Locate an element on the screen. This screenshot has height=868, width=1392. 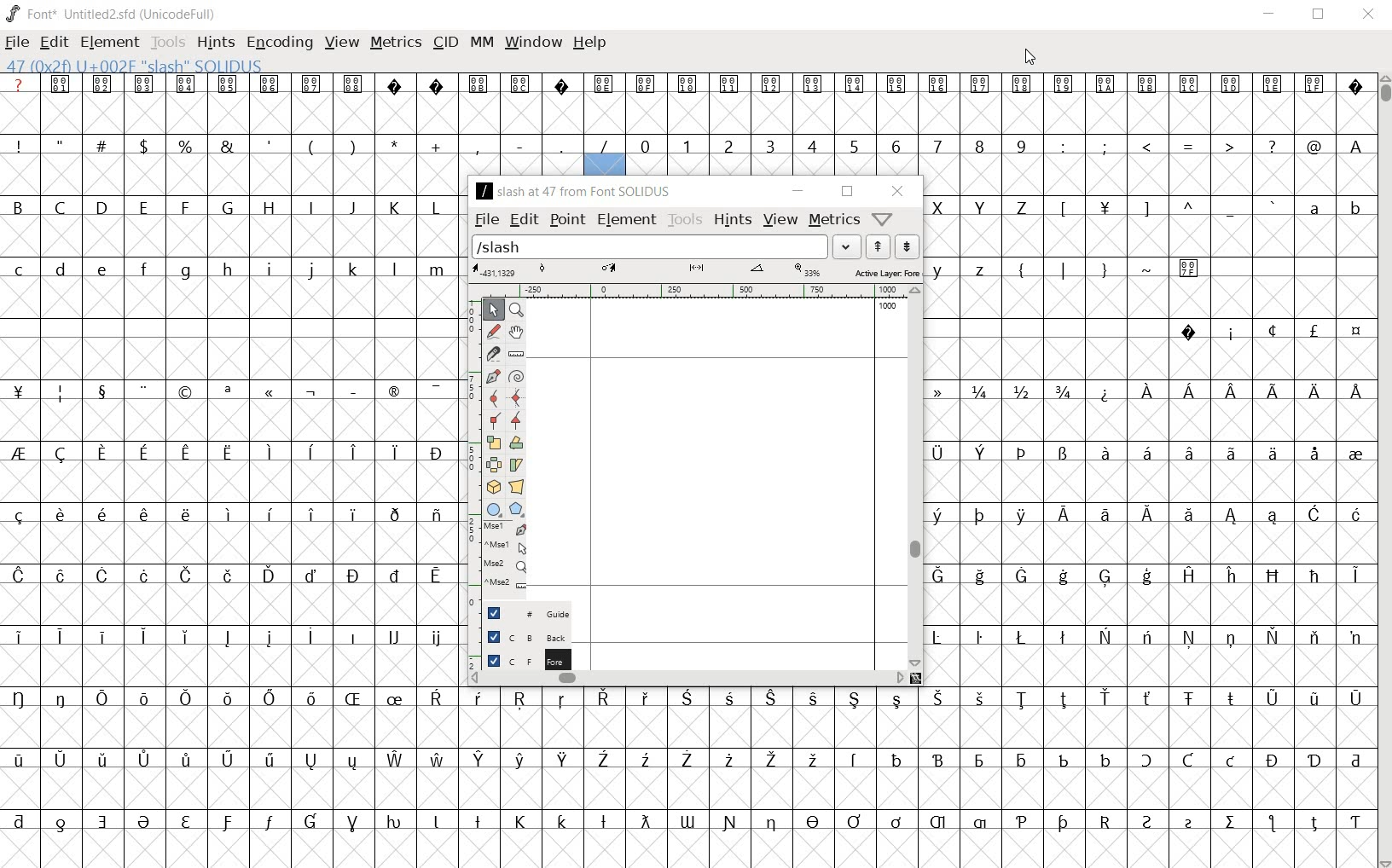
special letters is located at coordinates (1147, 574).